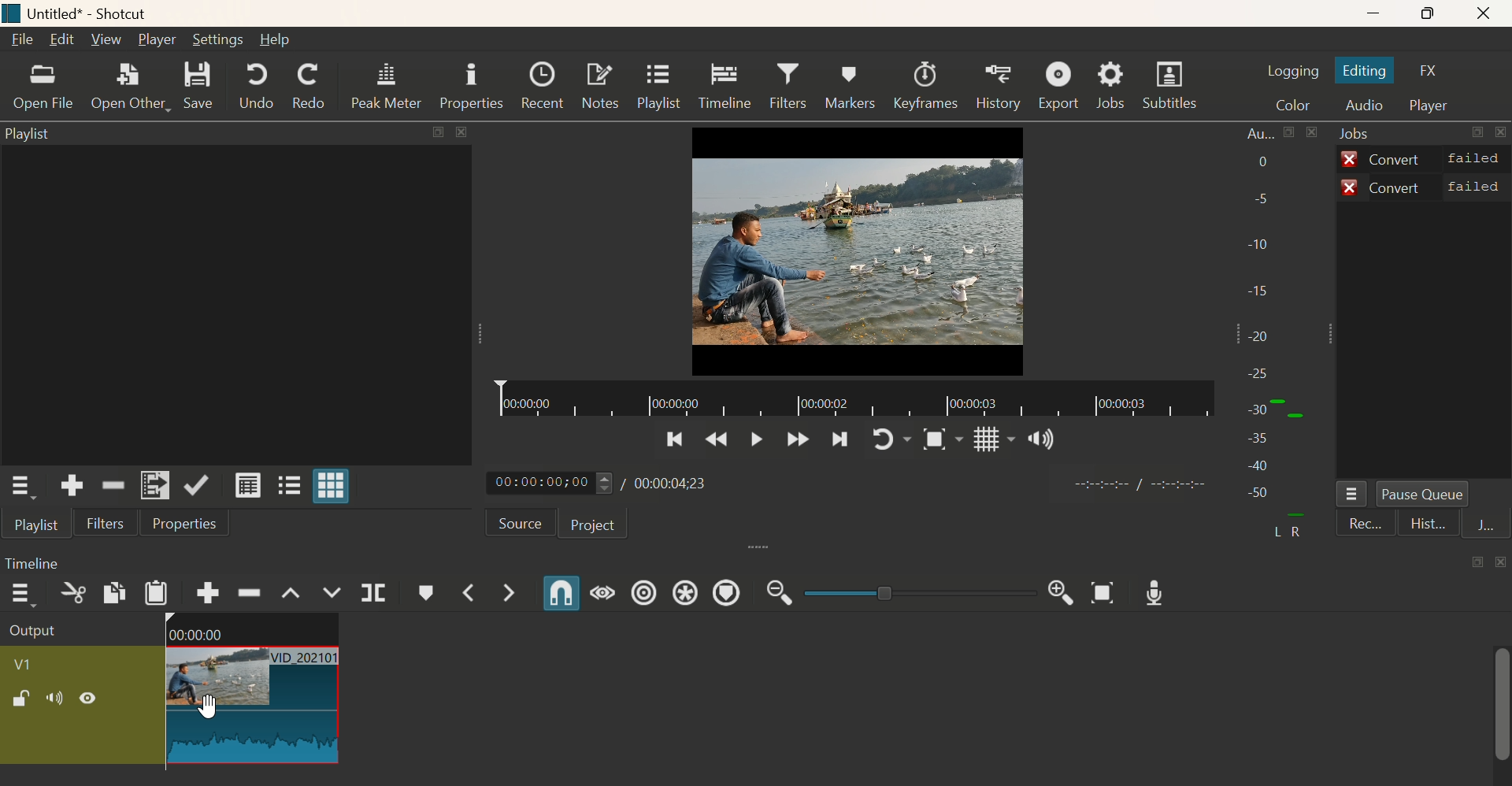  What do you see at coordinates (1174, 83) in the screenshot?
I see `Subtitles` at bounding box center [1174, 83].